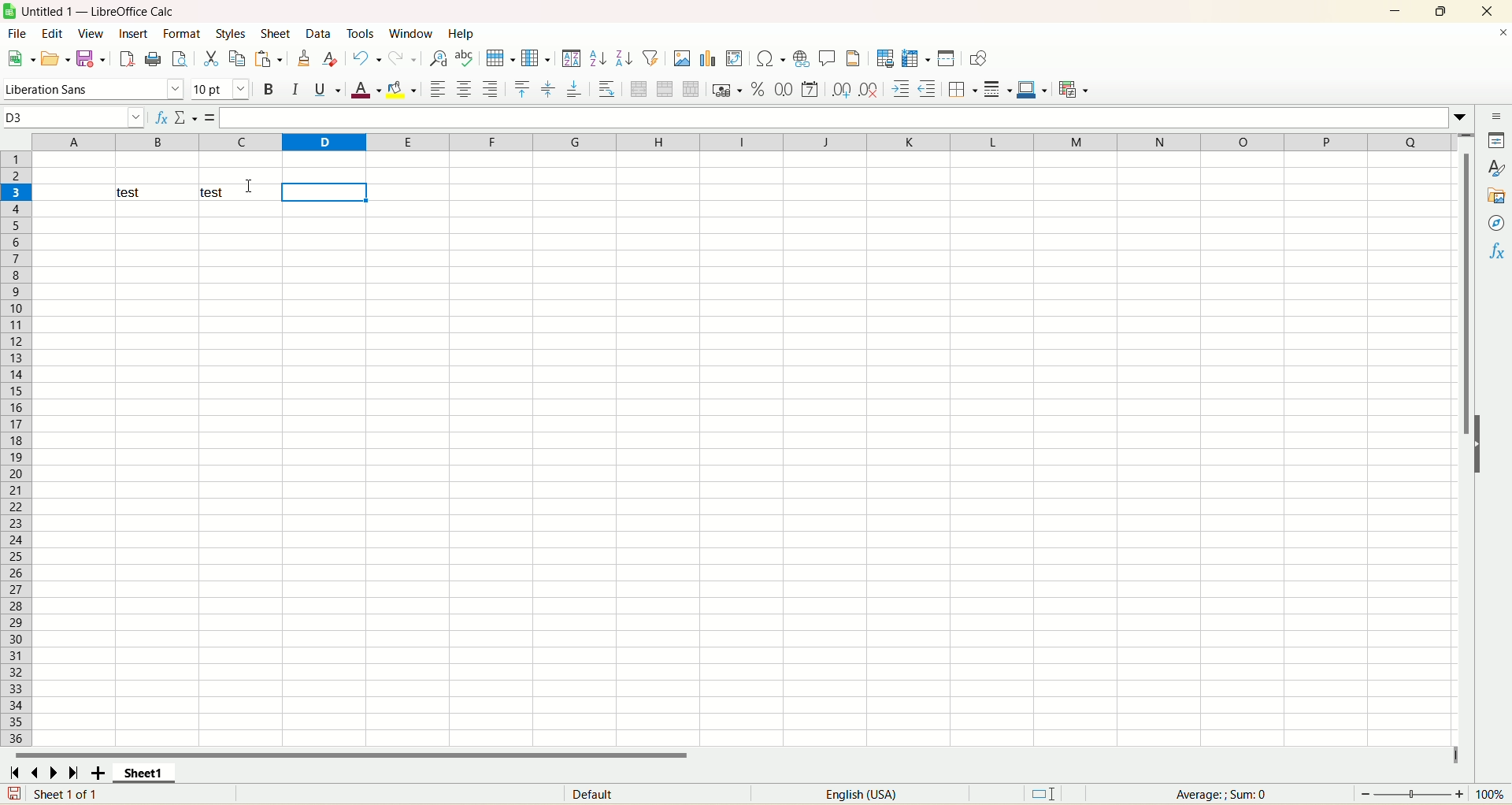 This screenshot has width=1512, height=805. Describe the element at coordinates (270, 89) in the screenshot. I see `bold` at that location.